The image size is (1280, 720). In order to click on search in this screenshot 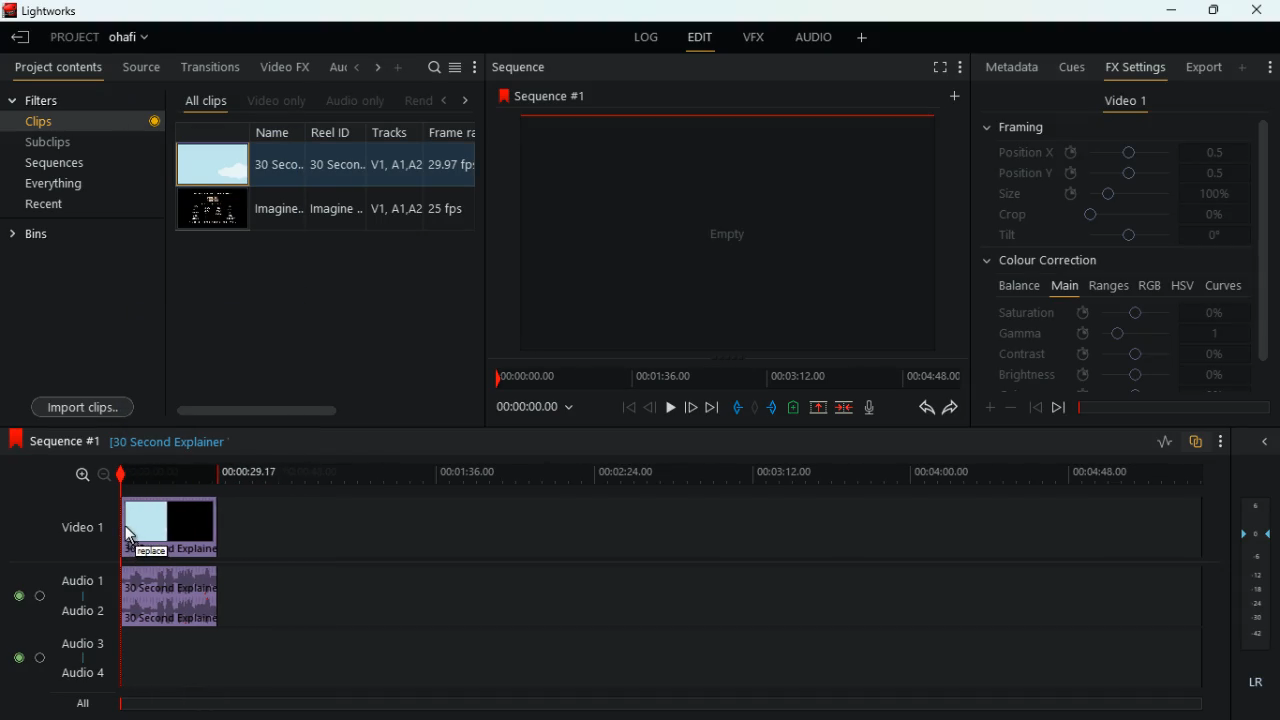, I will do `click(427, 67)`.